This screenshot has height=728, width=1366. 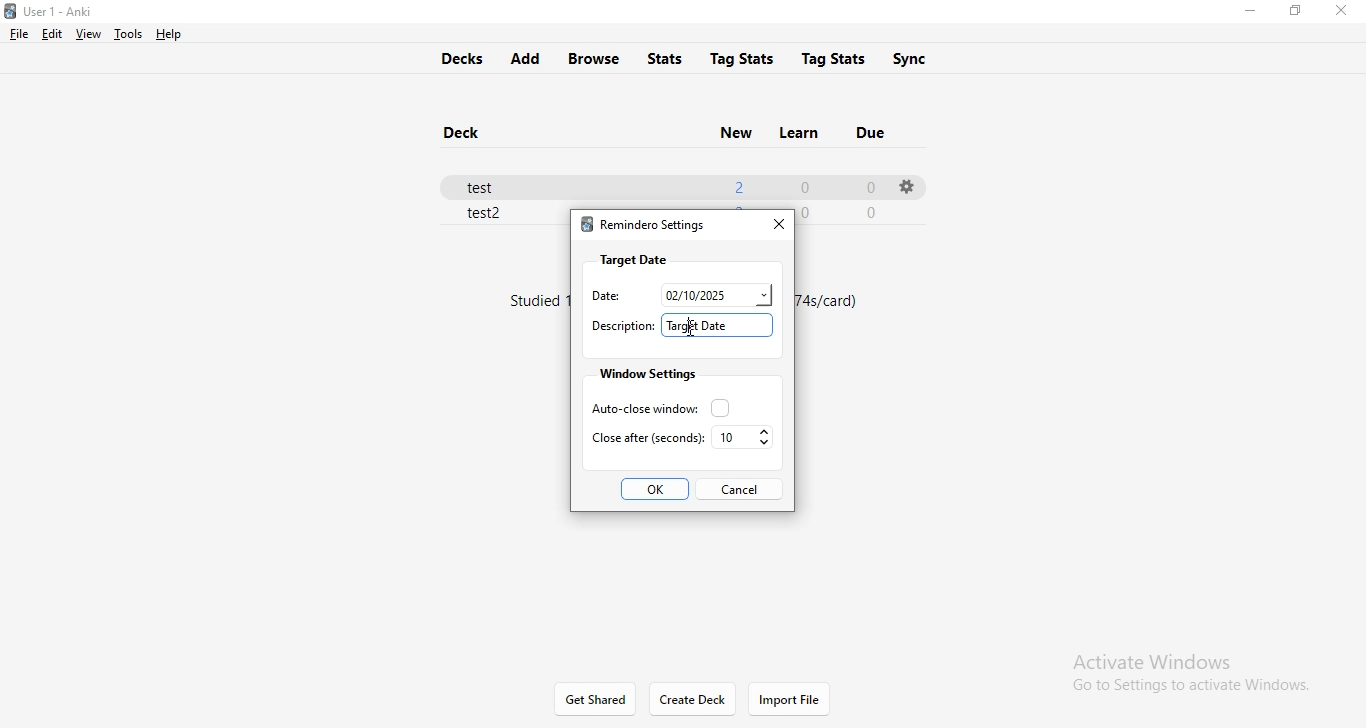 I want to click on date, so click(x=716, y=293).